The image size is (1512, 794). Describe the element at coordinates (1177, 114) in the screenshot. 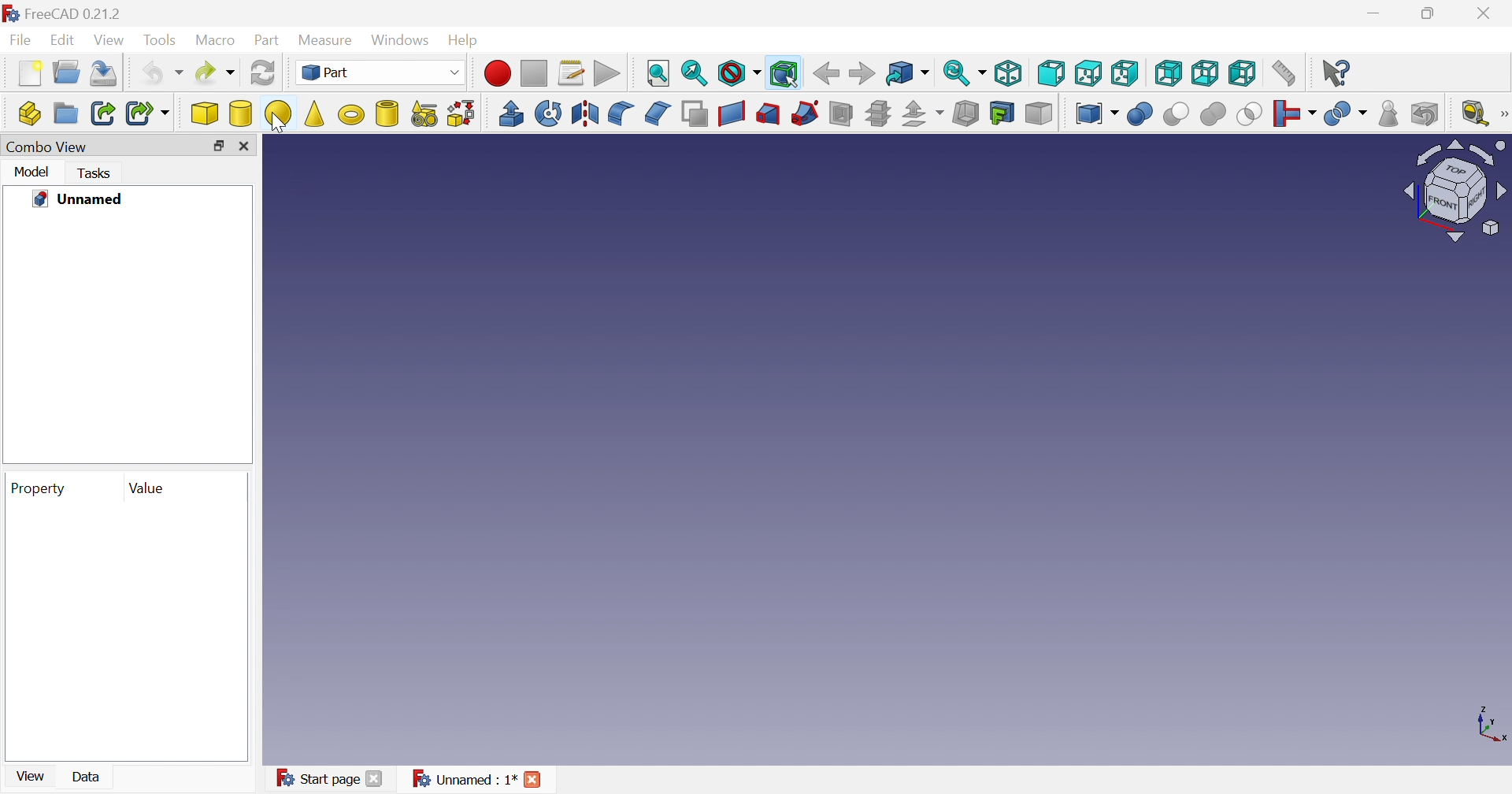

I see `Cut` at that location.